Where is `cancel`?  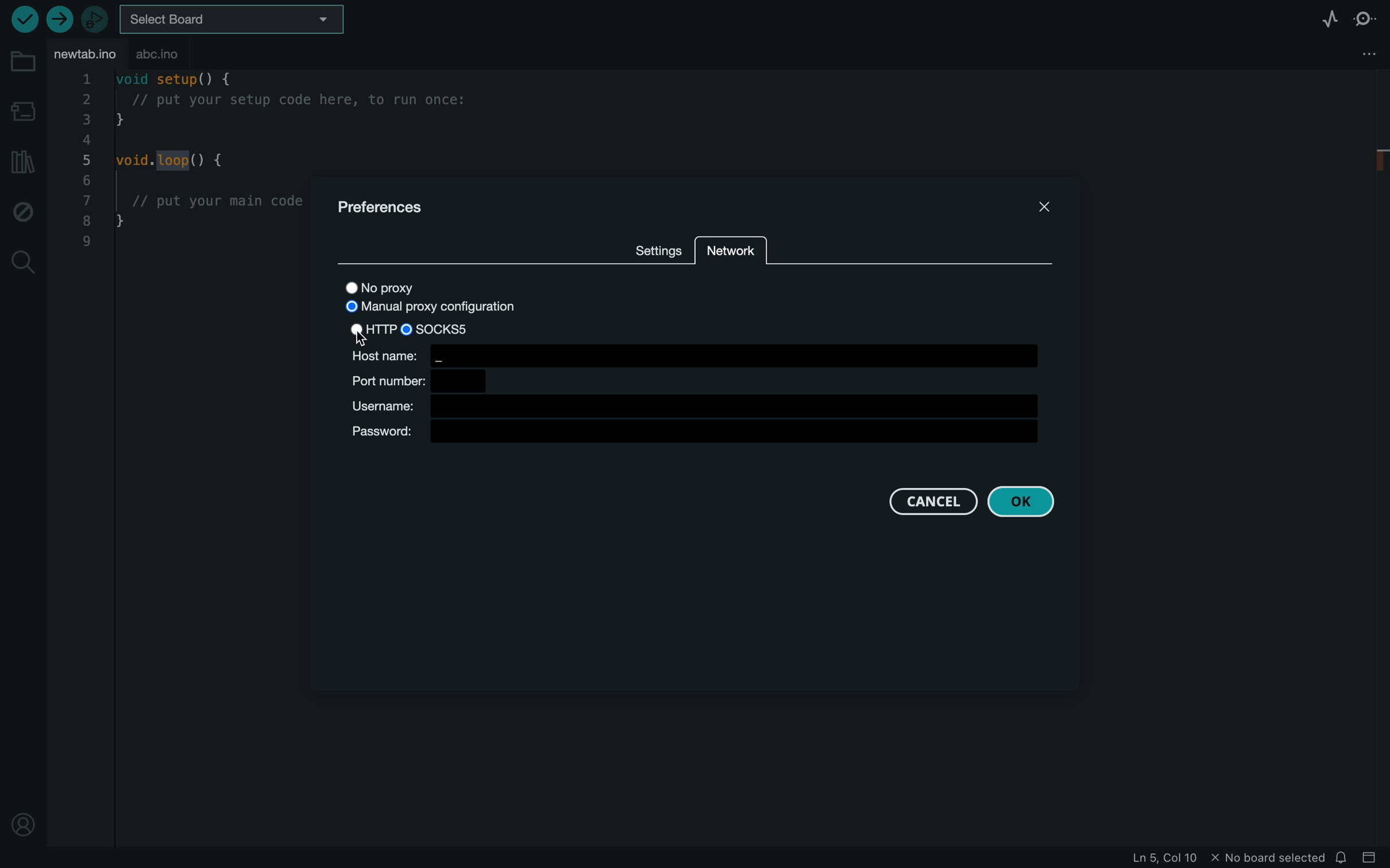
cancel is located at coordinates (930, 501).